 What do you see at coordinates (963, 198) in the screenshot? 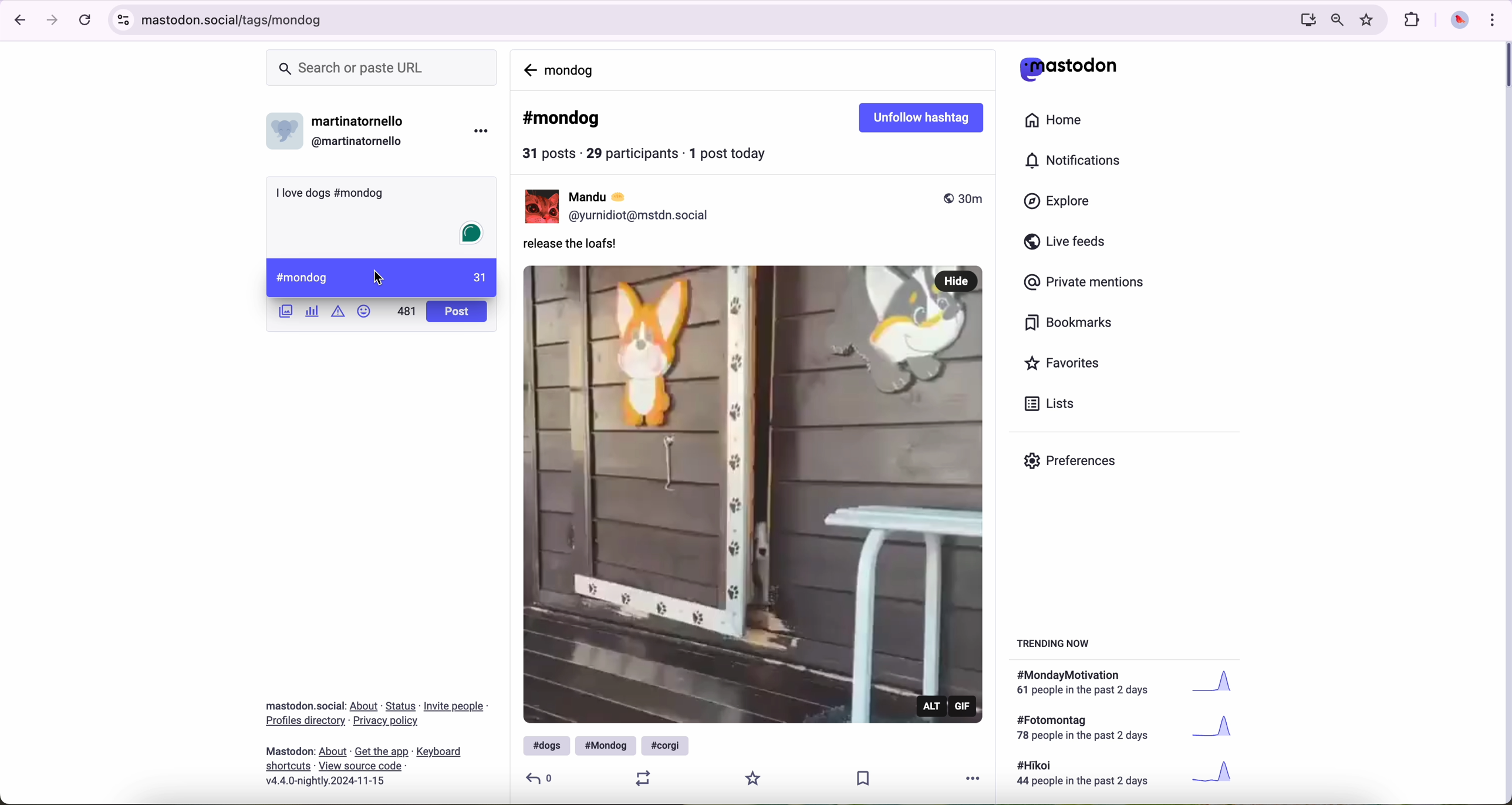
I see `published 30m ago` at bounding box center [963, 198].